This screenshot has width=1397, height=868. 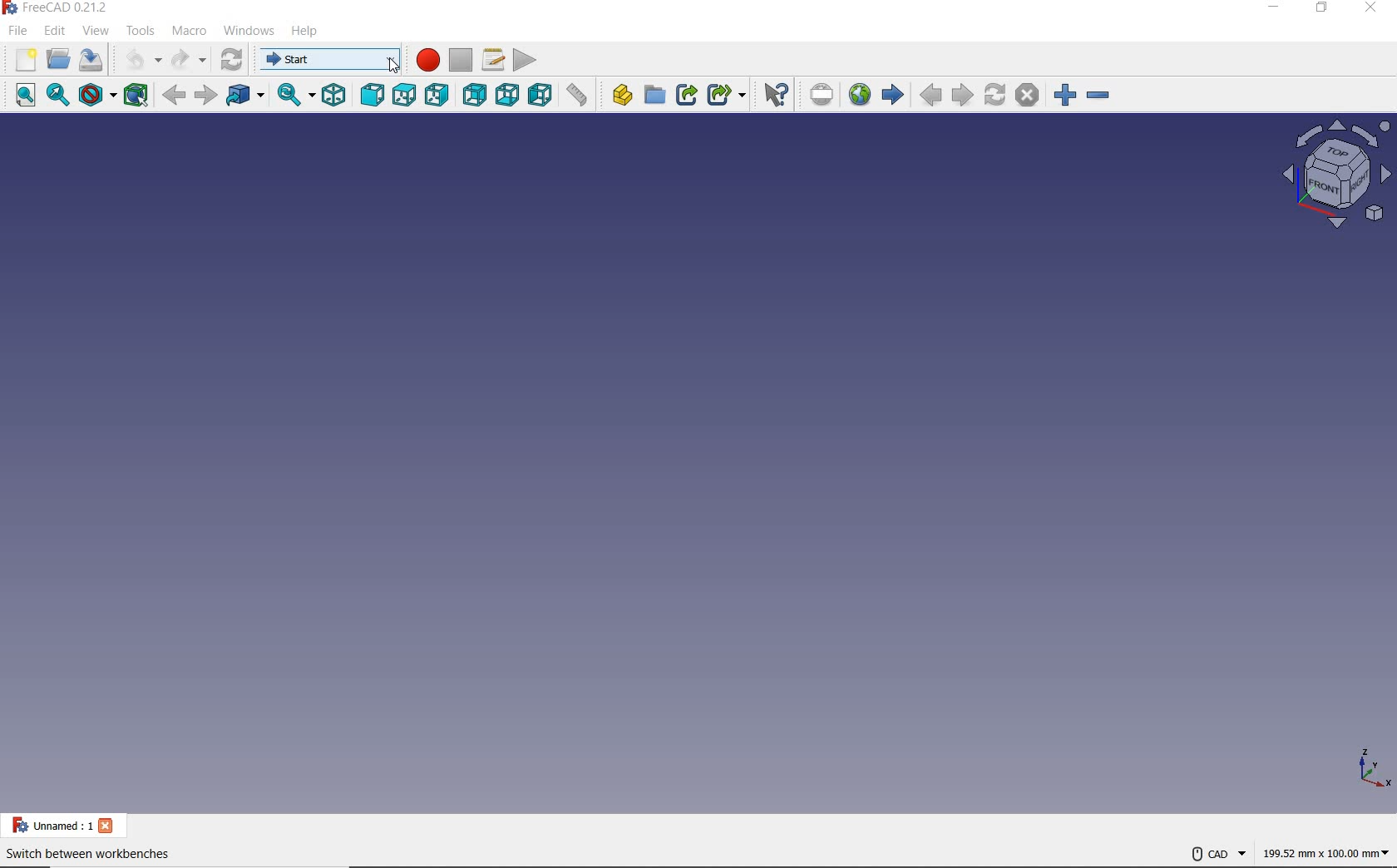 What do you see at coordinates (54, 32) in the screenshot?
I see `EDIT` at bounding box center [54, 32].